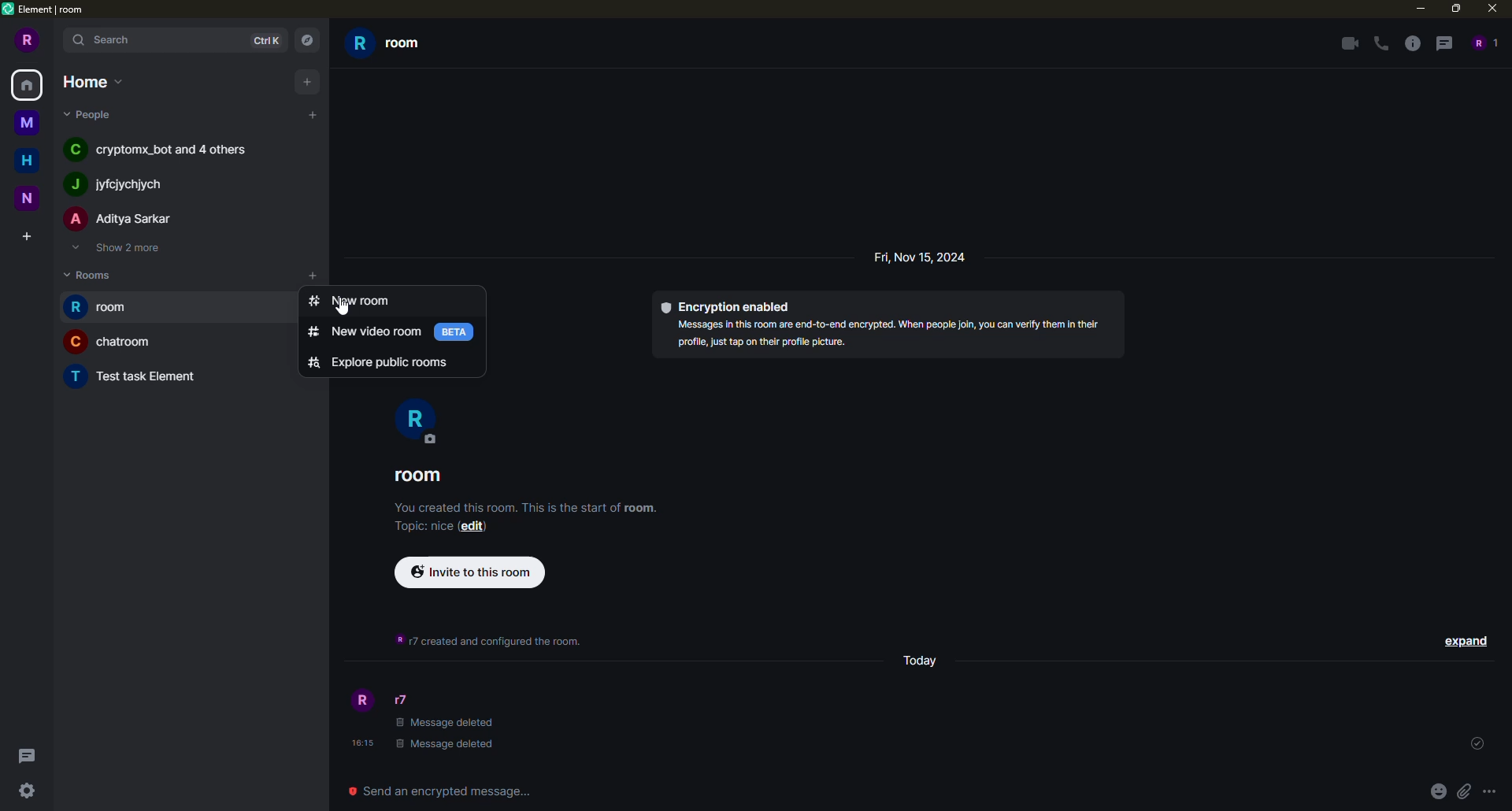  What do you see at coordinates (1493, 793) in the screenshot?
I see `more` at bounding box center [1493, 793].